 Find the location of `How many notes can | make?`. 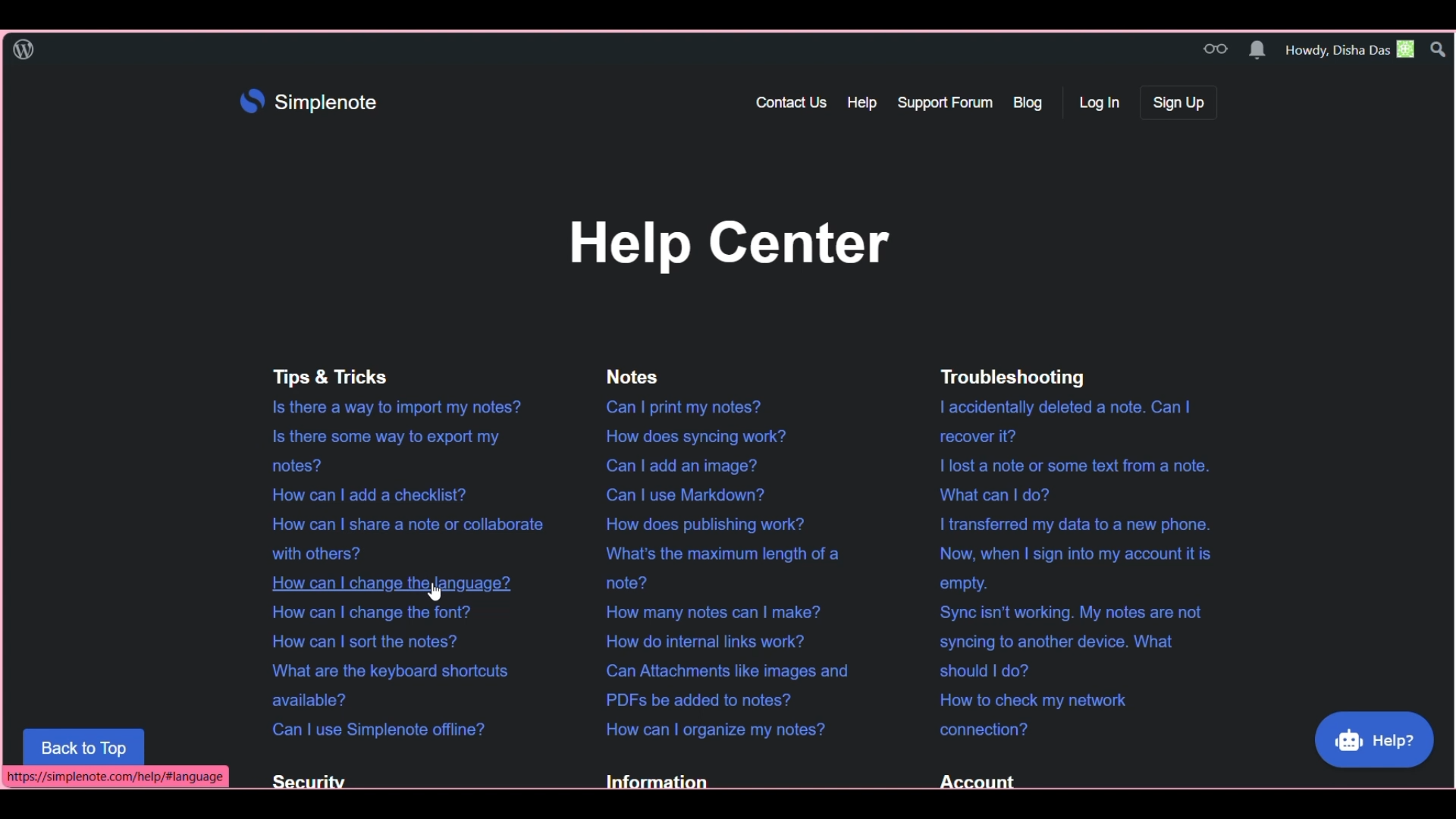

How many notes can | make? is located at coordinates (706, 612).